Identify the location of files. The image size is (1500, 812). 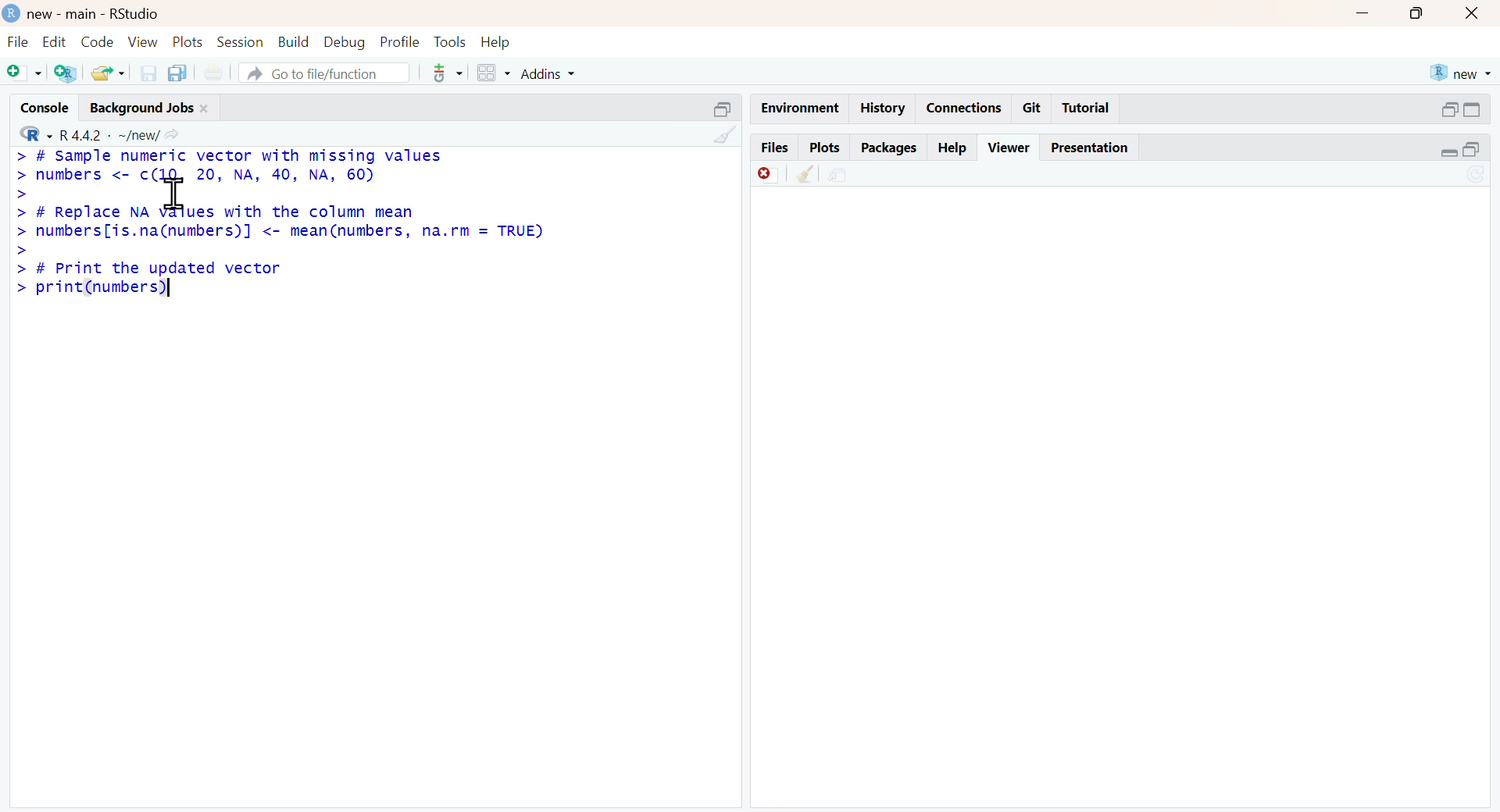
(775, 147).